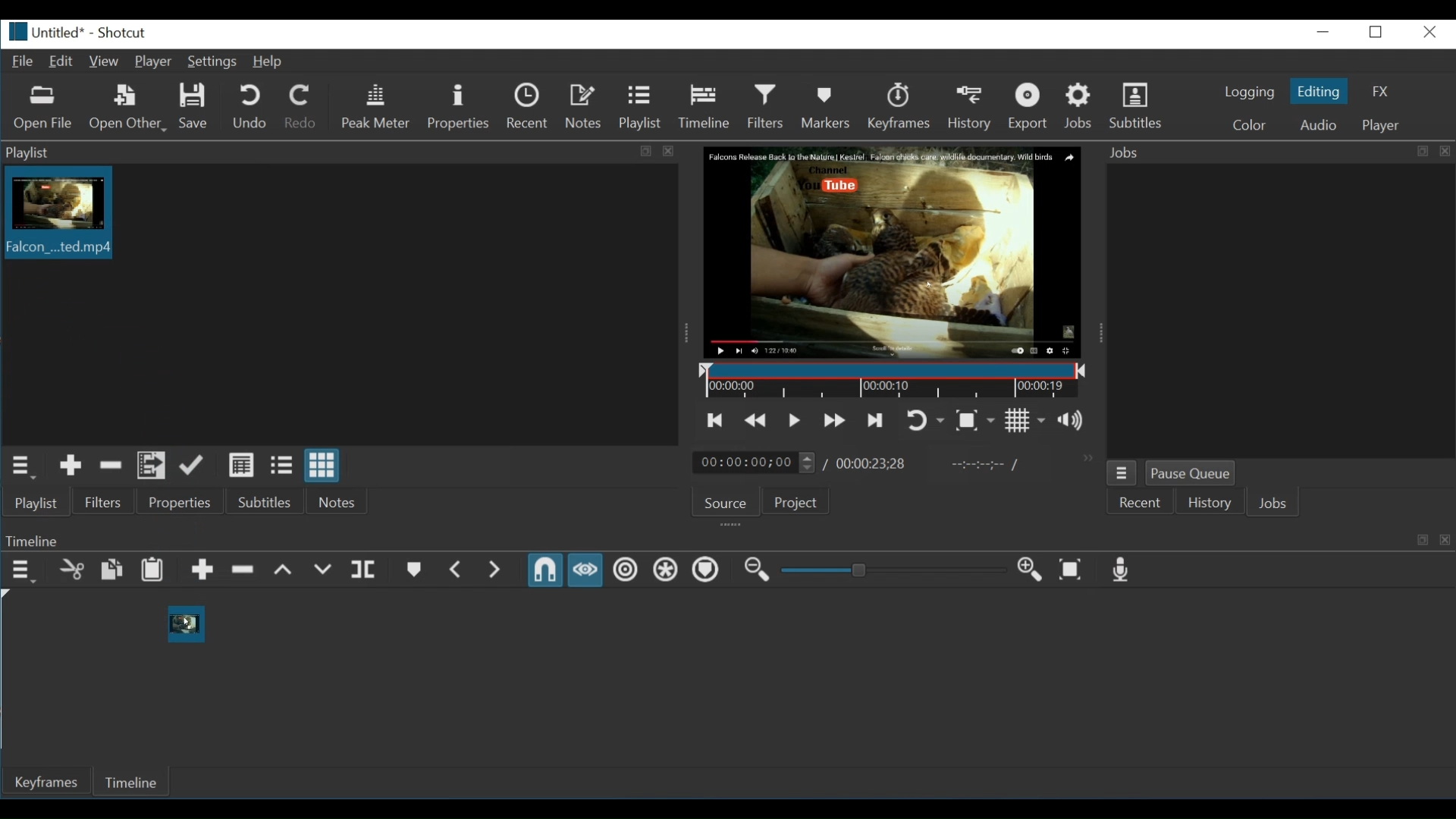 The width and height of the screenshot is (1456, 819). I want to click on Help, so click(269, 63).